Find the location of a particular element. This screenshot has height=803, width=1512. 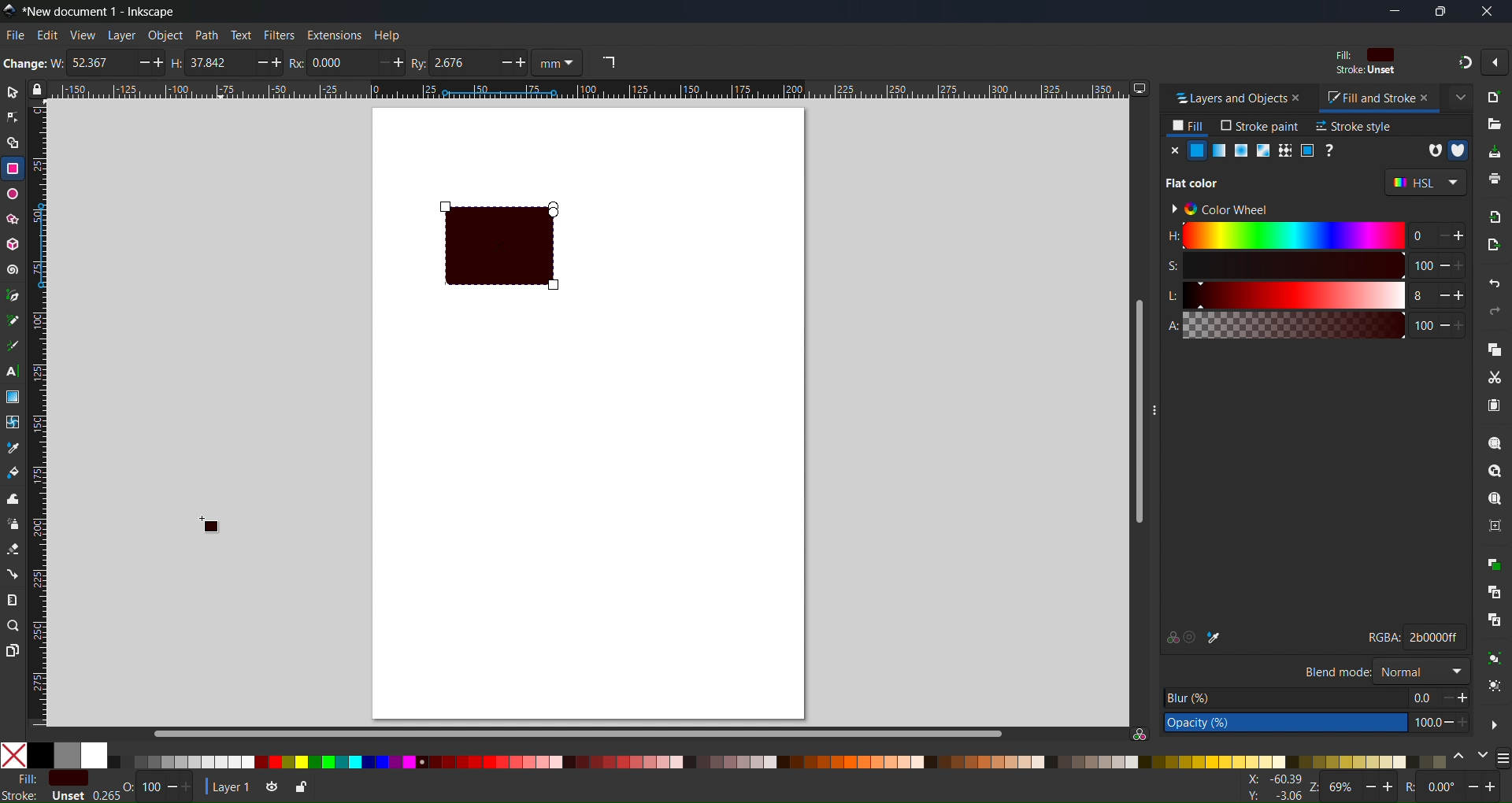

Spiral Tool is located at coordinates (13, 269).